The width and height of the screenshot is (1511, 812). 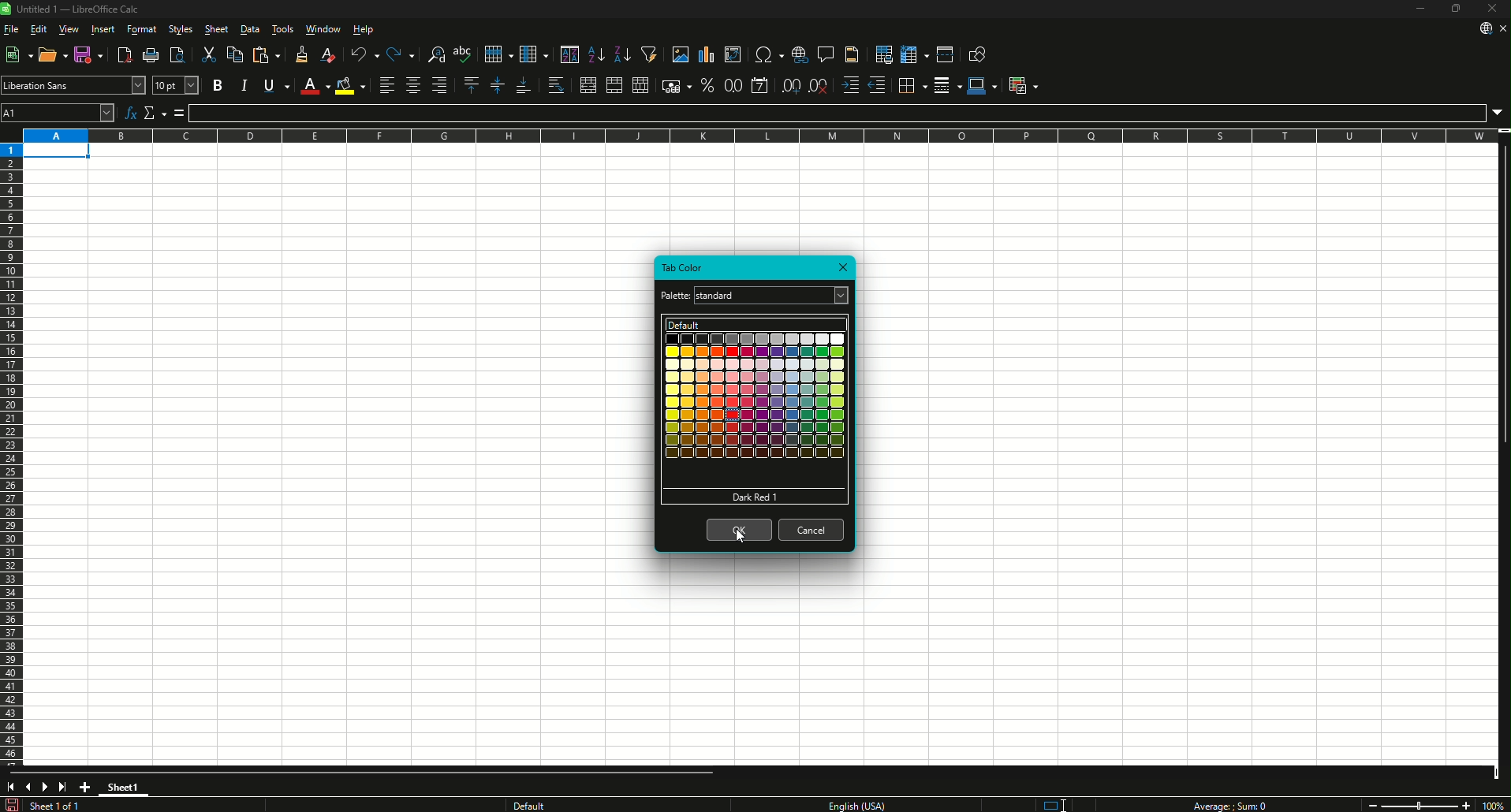 I want to click on Tab Color, so click(x=684, y=268).